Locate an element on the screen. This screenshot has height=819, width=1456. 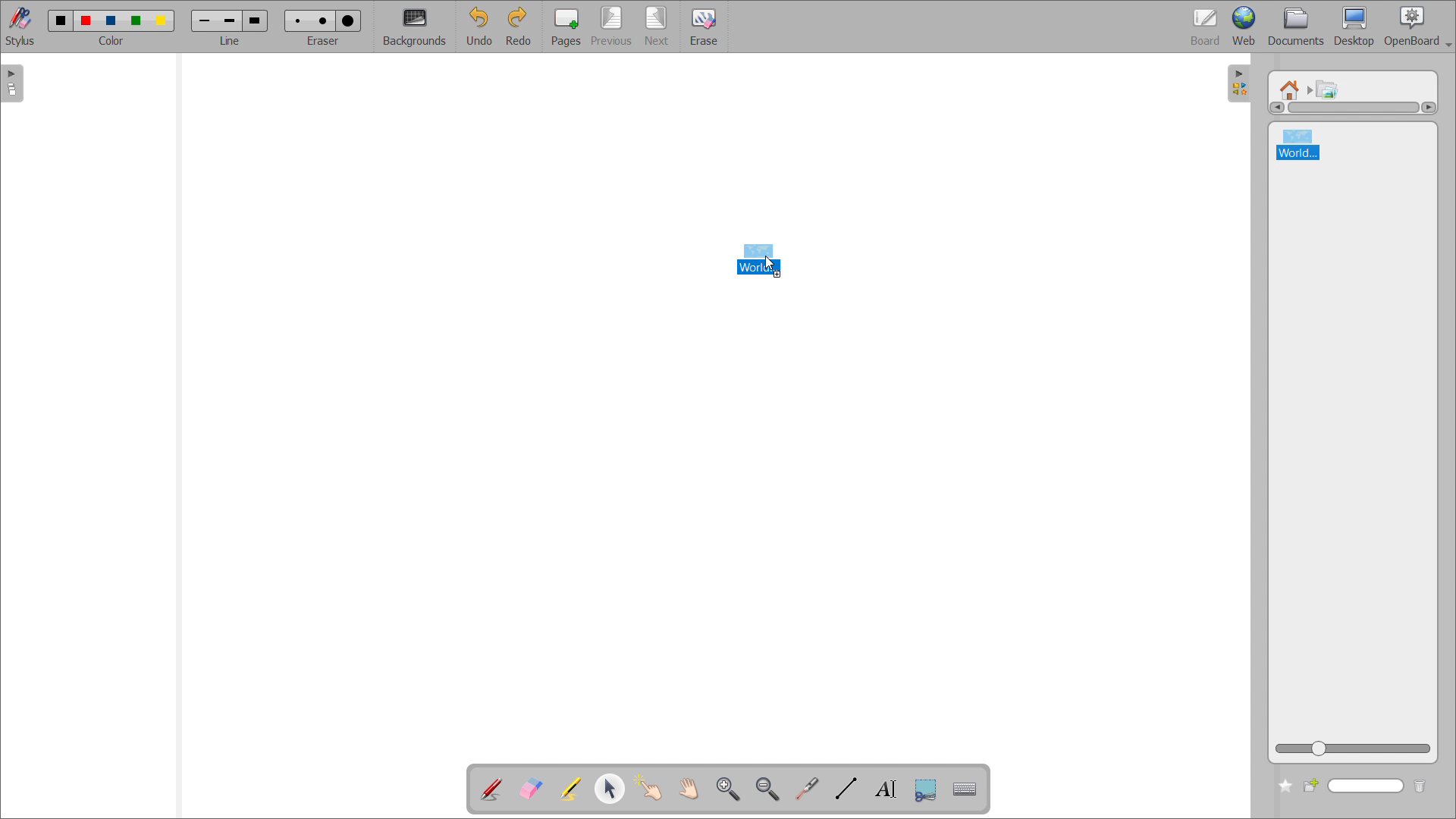
undo is located at coordinates (479, 26).